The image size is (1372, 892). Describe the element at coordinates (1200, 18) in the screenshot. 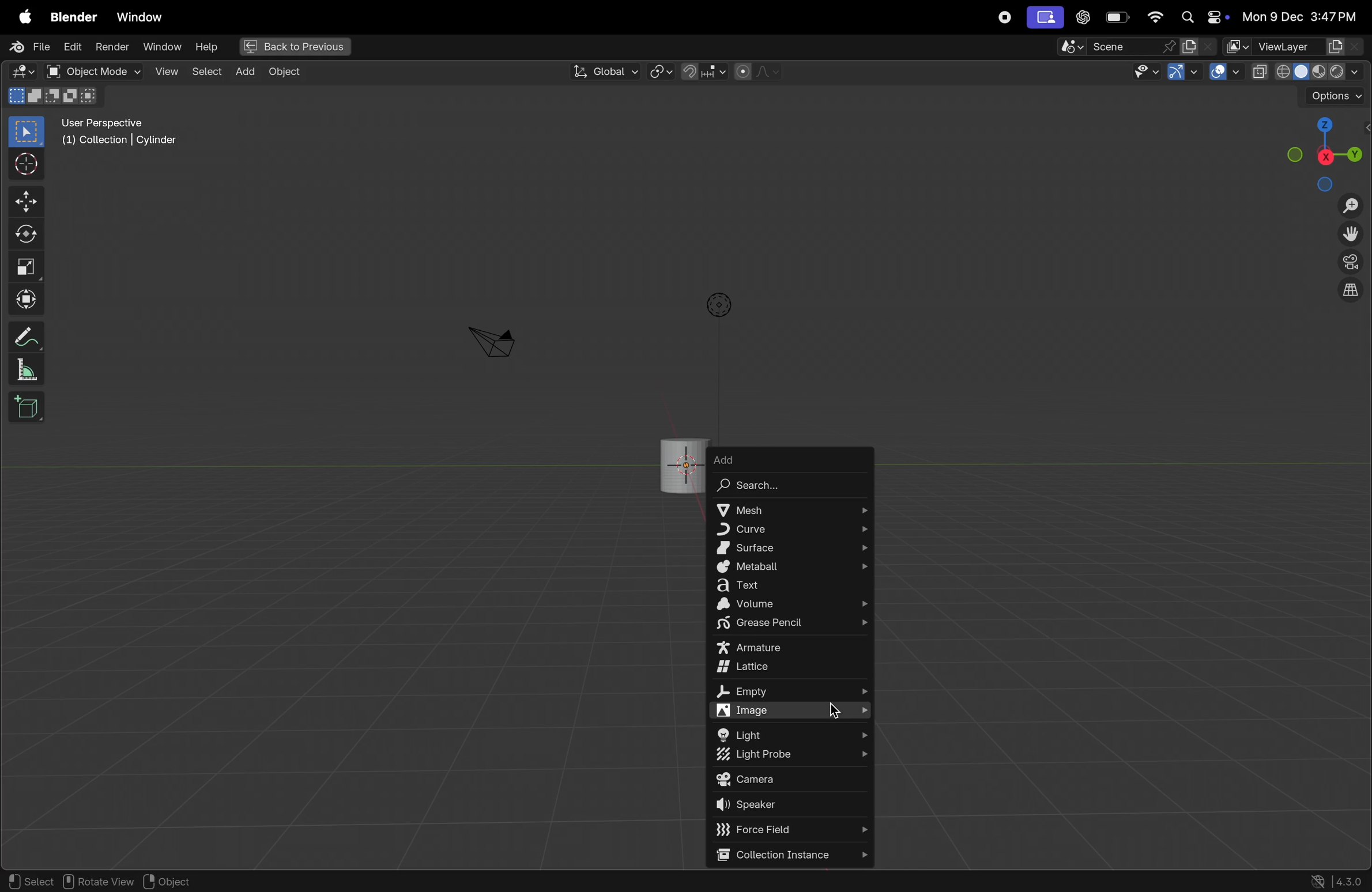

I see `apple widgets` at that location.